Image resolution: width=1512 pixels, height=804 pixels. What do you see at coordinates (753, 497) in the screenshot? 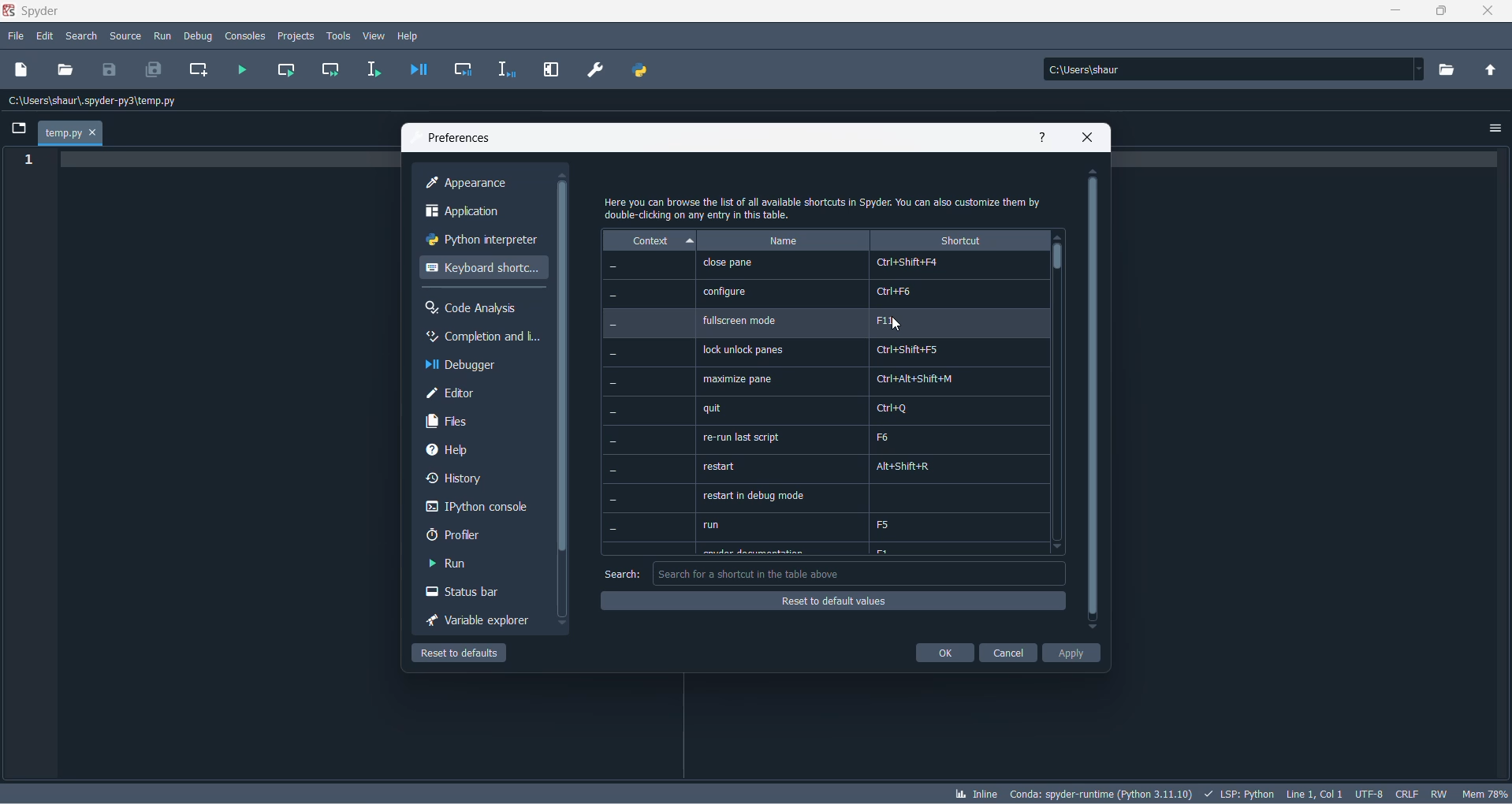
I see `restart in debug mode` at bounding box center [753, 497].